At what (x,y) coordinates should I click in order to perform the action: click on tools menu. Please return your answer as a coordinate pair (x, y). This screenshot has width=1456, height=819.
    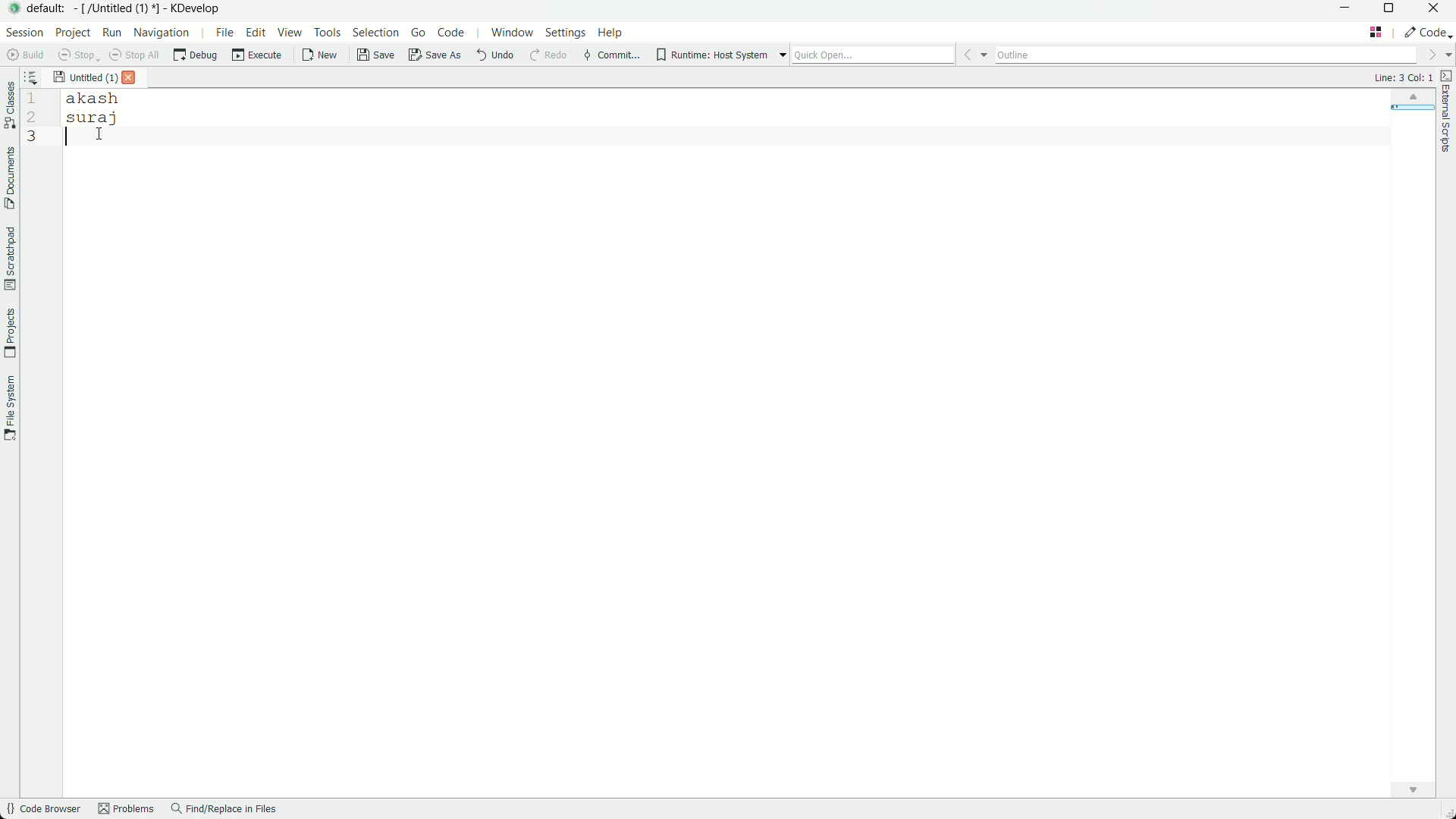
    Looking at the image, I should click on (329, 34).